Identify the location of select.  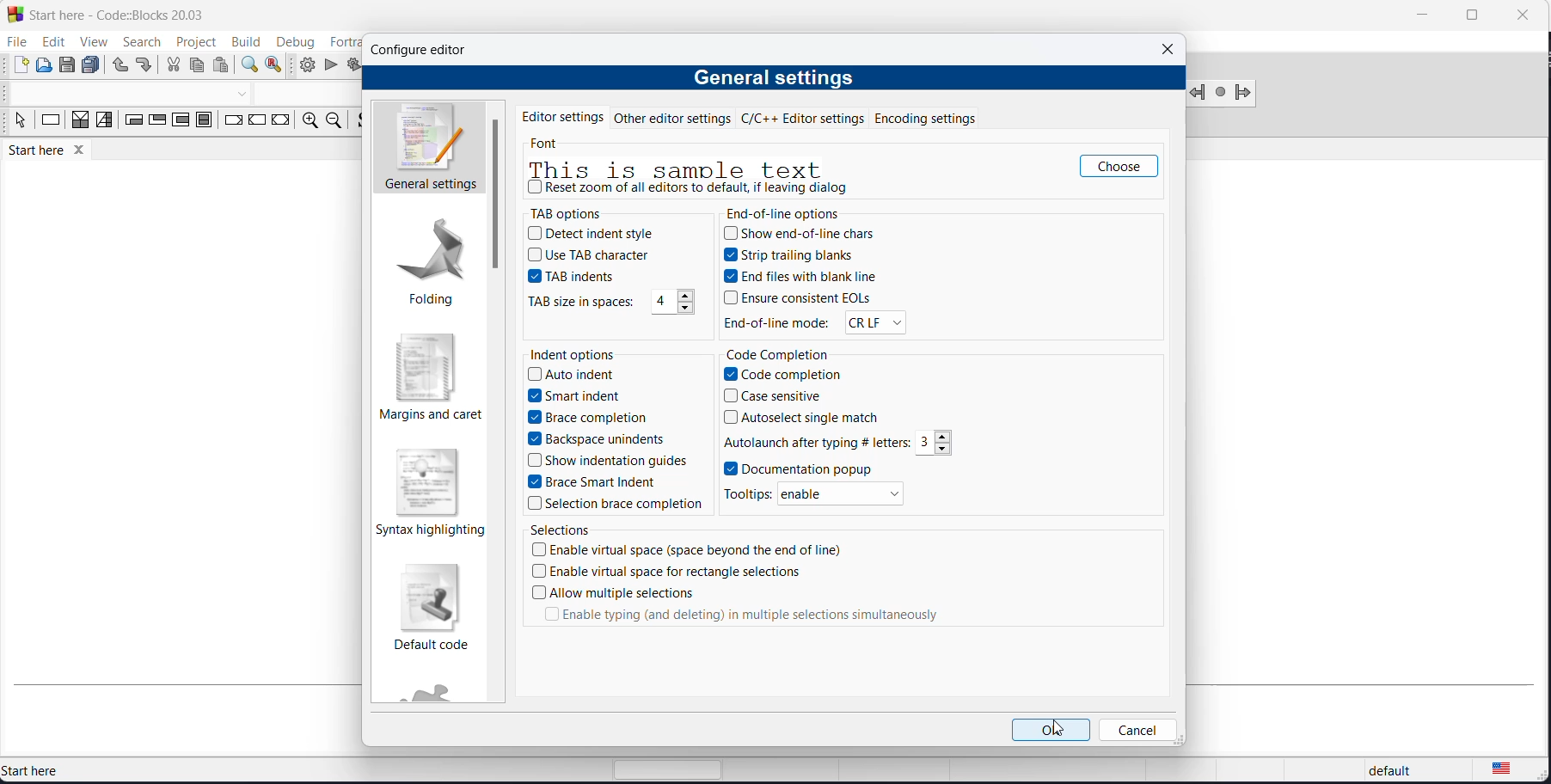
(17, 123).